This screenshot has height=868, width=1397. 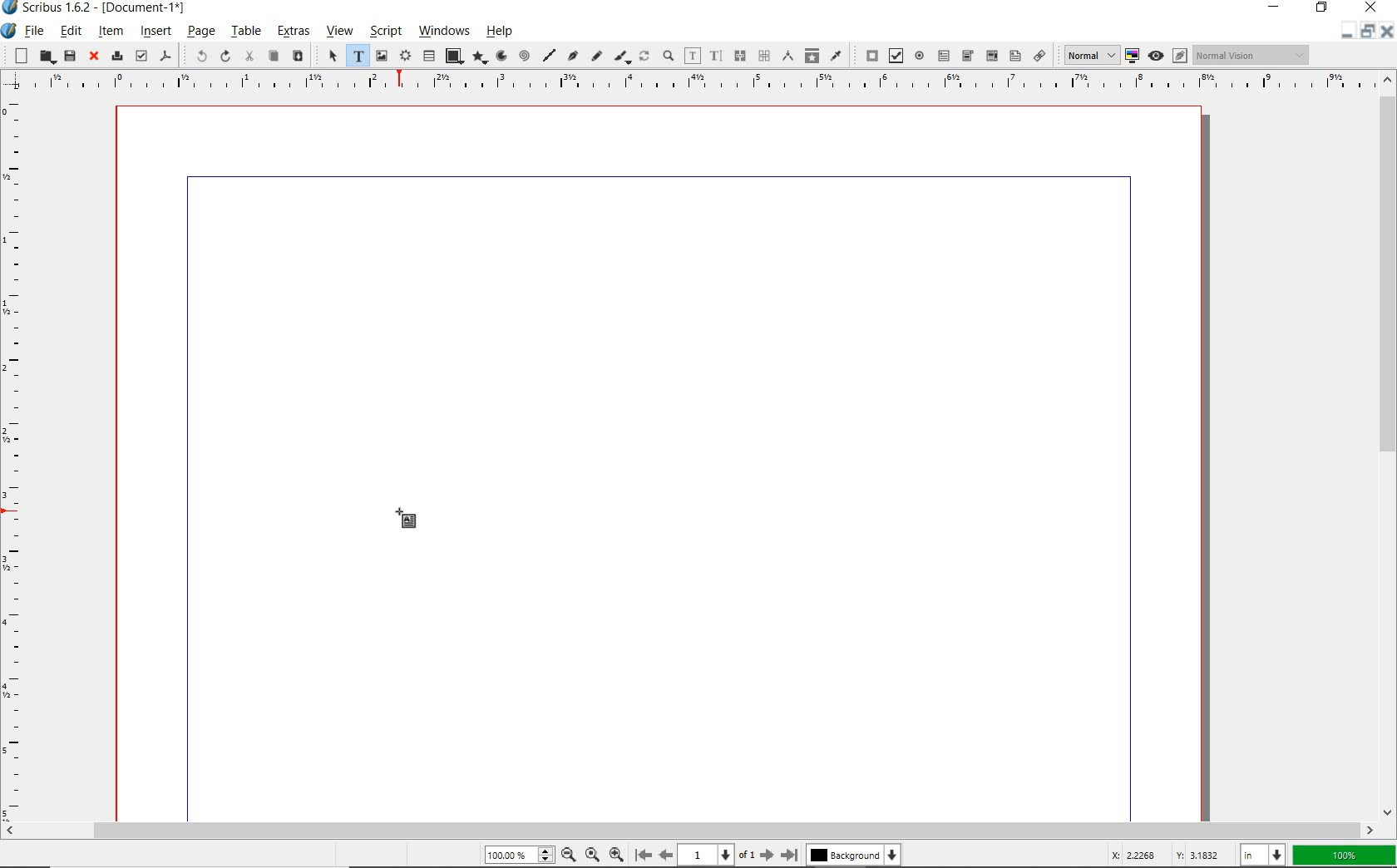 I want to click on Close, so click(x=1385, y=33).